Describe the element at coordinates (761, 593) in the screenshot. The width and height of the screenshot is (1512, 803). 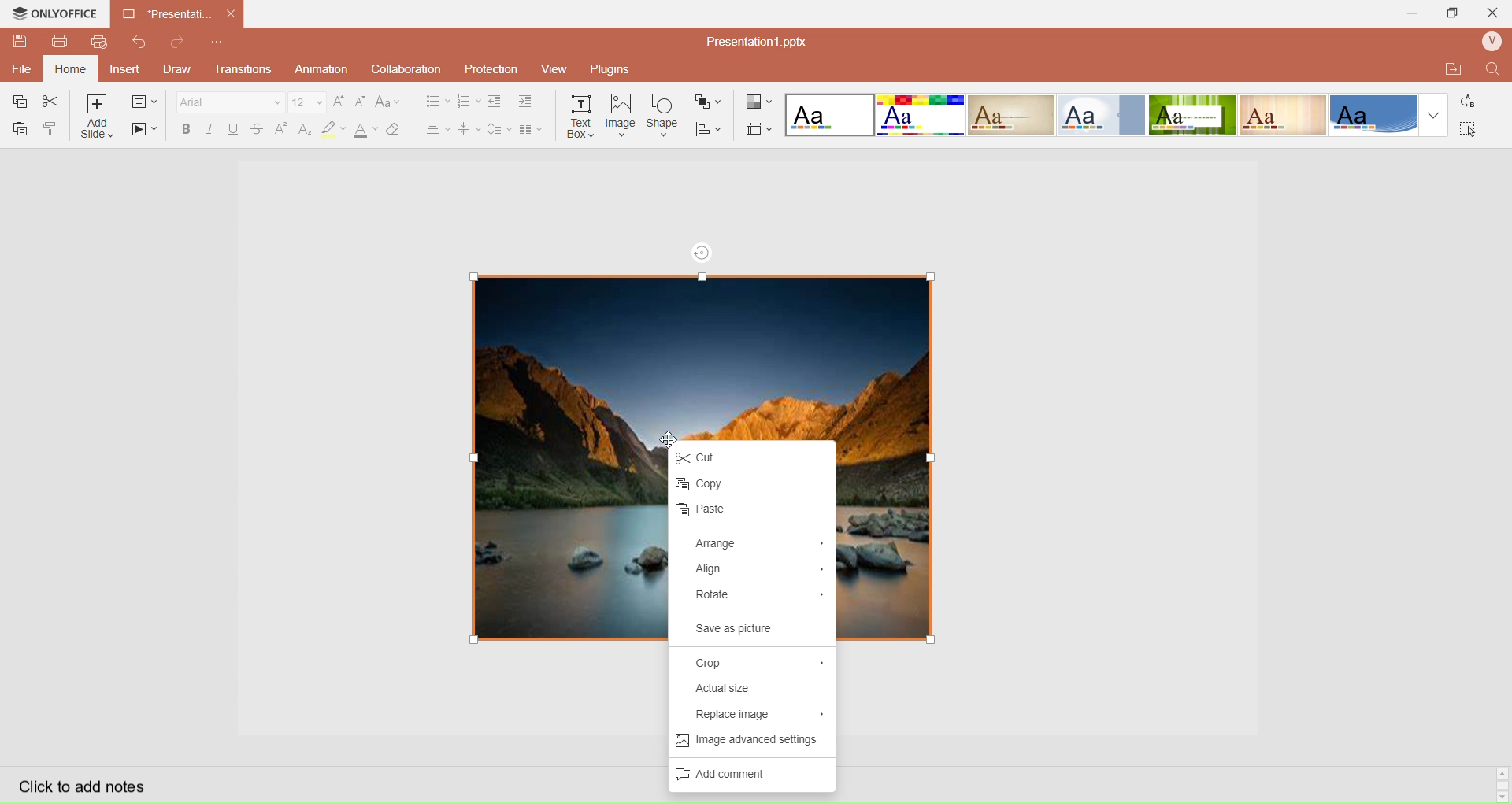
I see `Rotate` at that location.